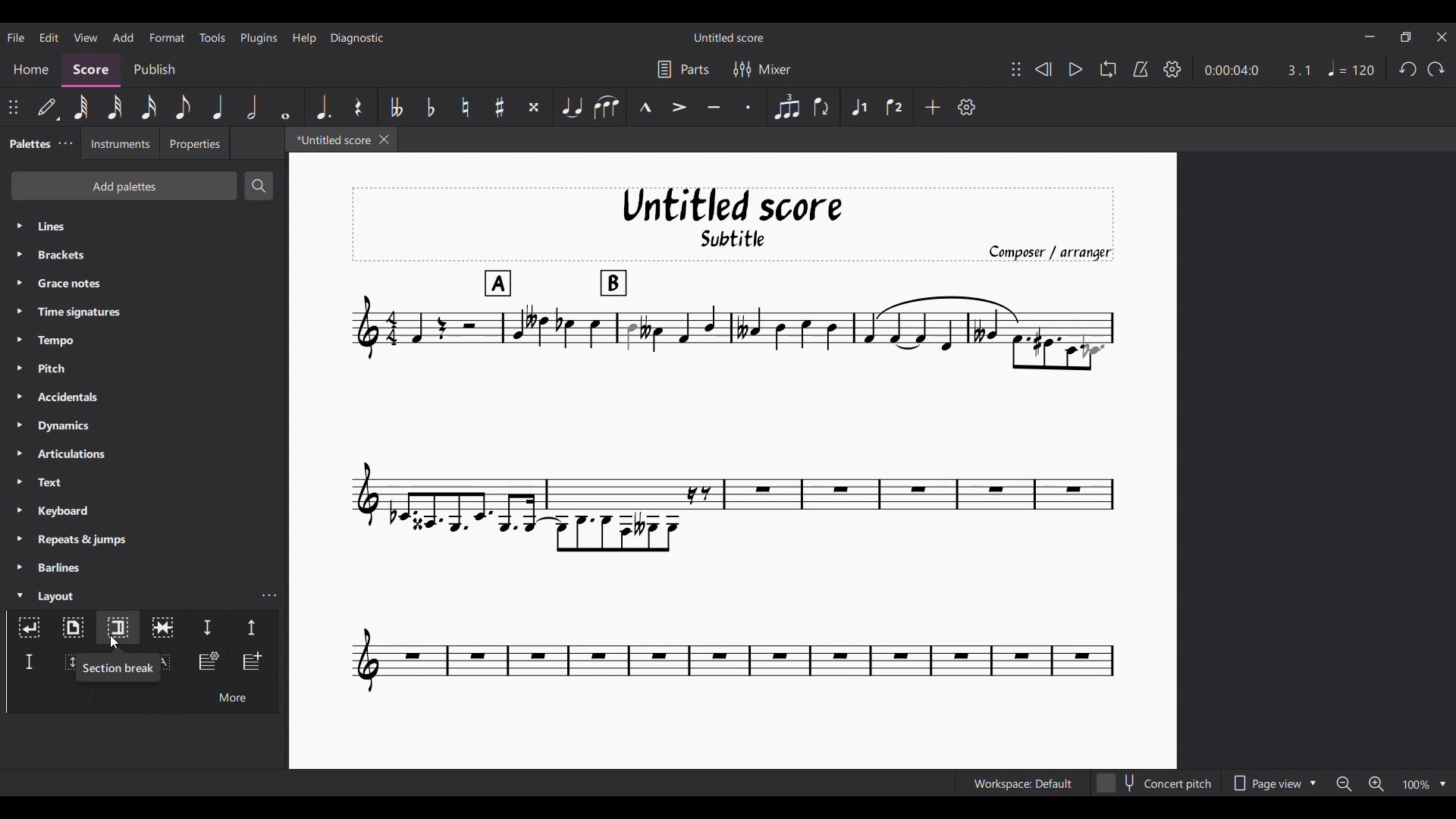 The width and height of the screenshot is (1456, 819). Describe the element at coordinates (1370, 36) in the screenshot. I see `Minimize` at that location.